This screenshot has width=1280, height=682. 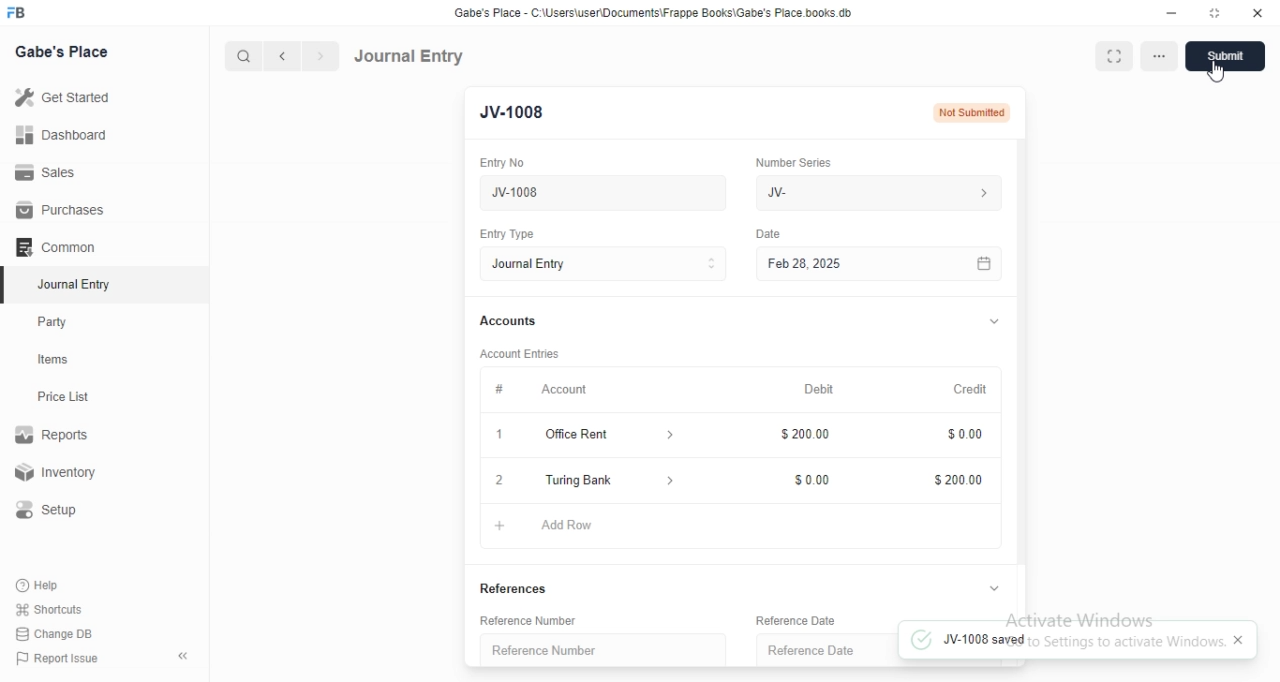 I want to click on Reference Number, so click(x=544, y=619).